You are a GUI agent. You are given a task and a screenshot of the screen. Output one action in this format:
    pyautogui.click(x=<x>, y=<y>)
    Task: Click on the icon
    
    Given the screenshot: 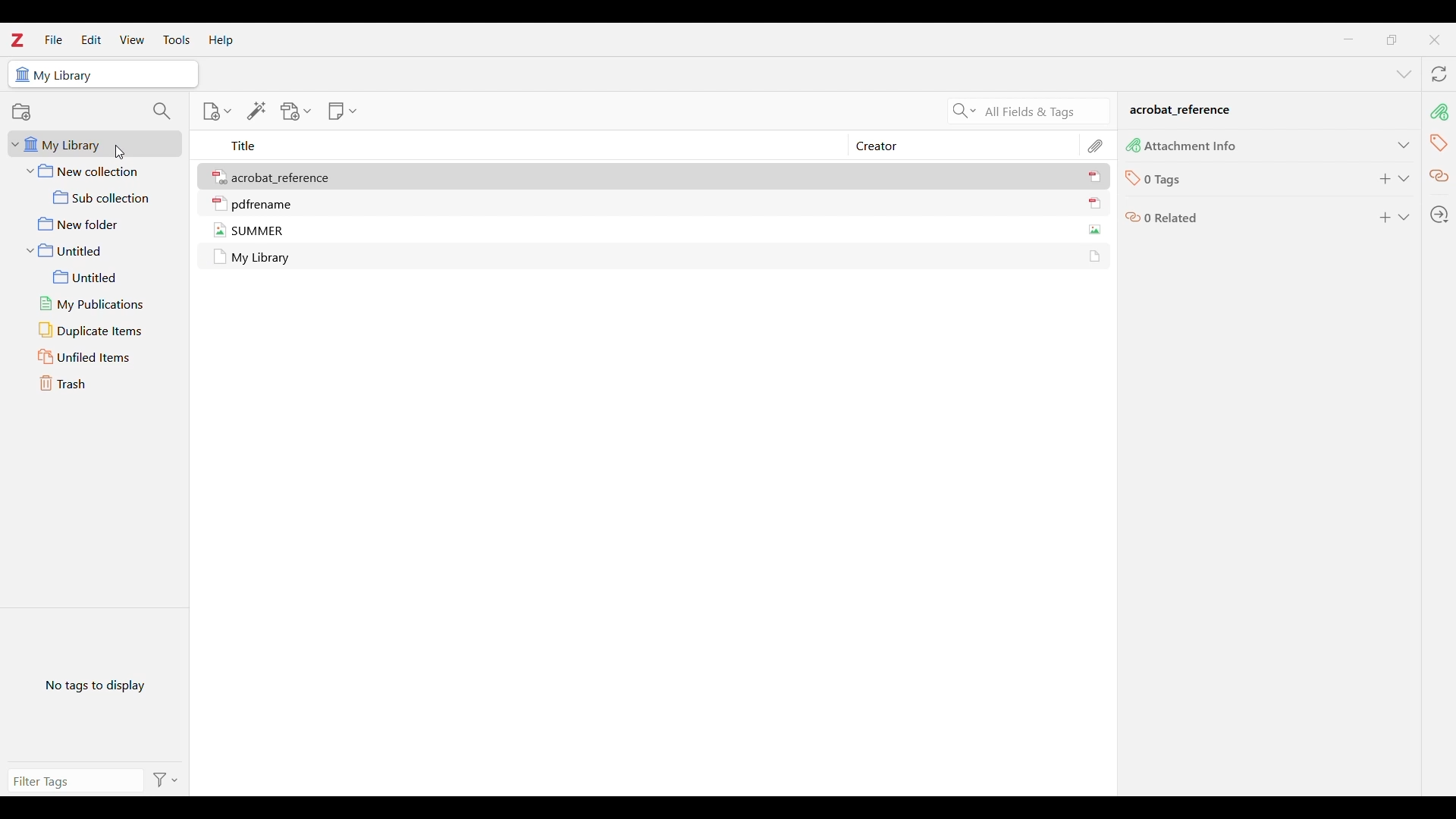 What is the action you would take?
    pyautogui.click(x=220, y=203)
    